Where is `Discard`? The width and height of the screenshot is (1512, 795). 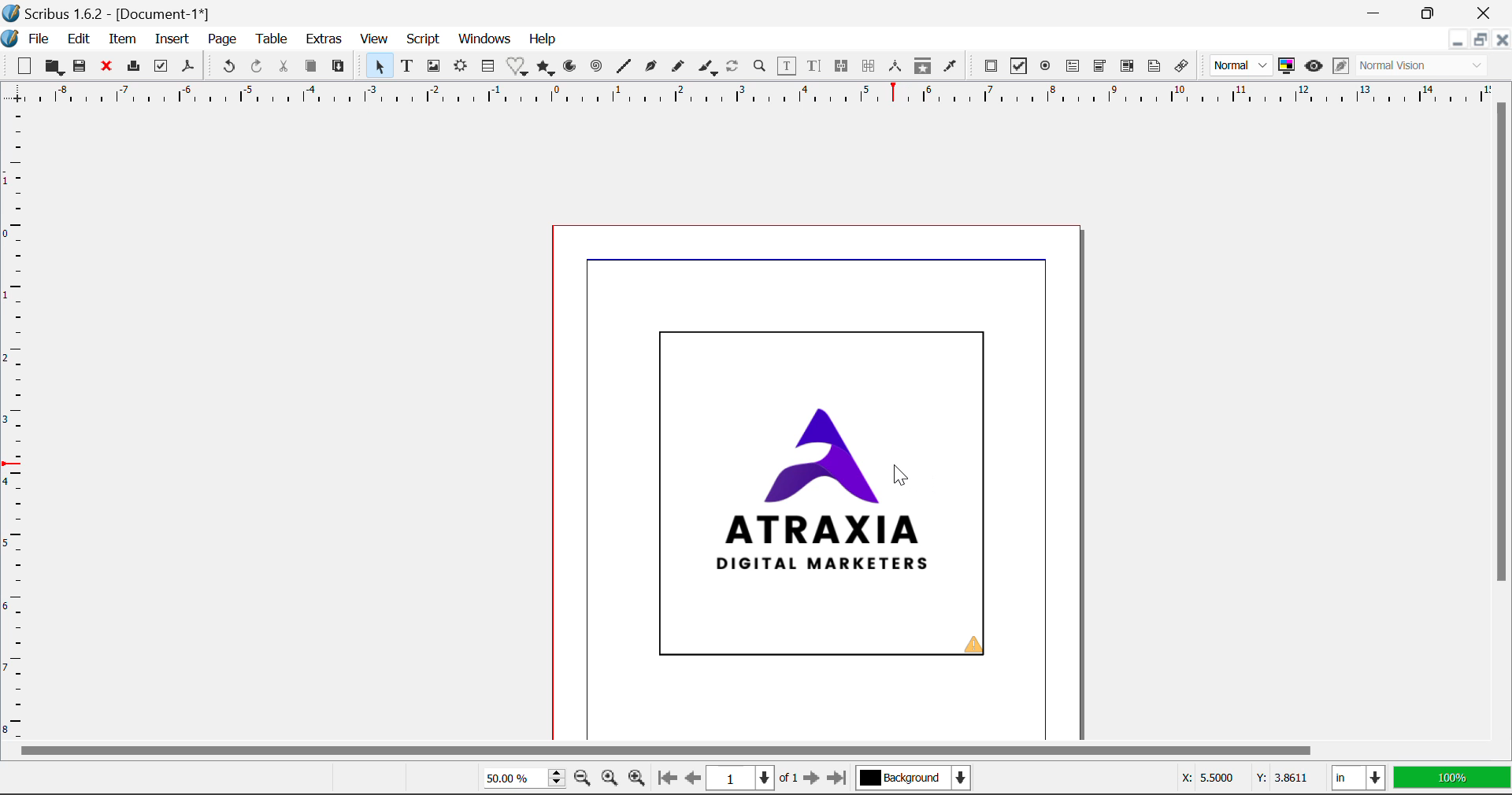 Discard is located at coordinates (109, 68).